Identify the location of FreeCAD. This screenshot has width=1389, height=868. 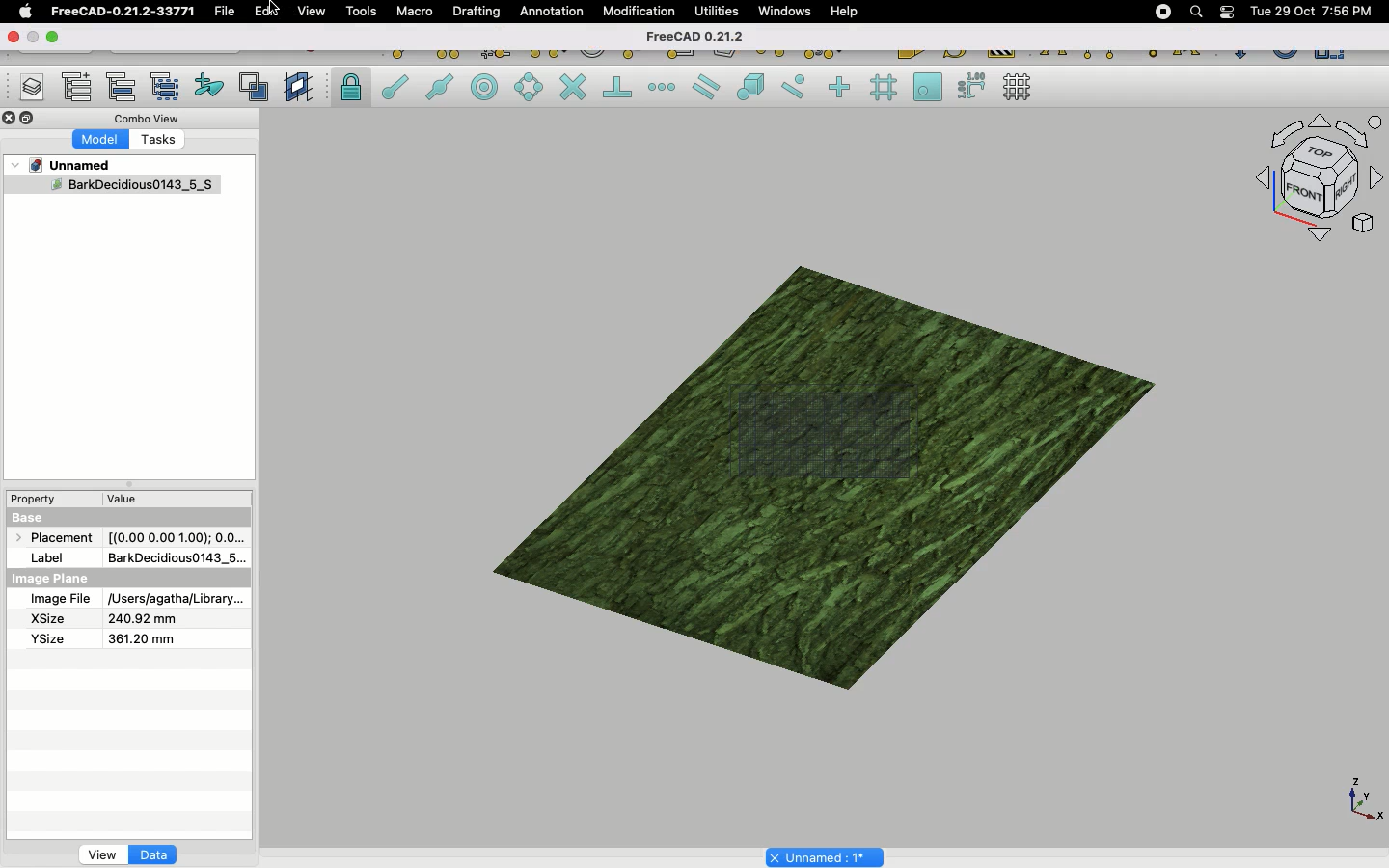
(124, 12).